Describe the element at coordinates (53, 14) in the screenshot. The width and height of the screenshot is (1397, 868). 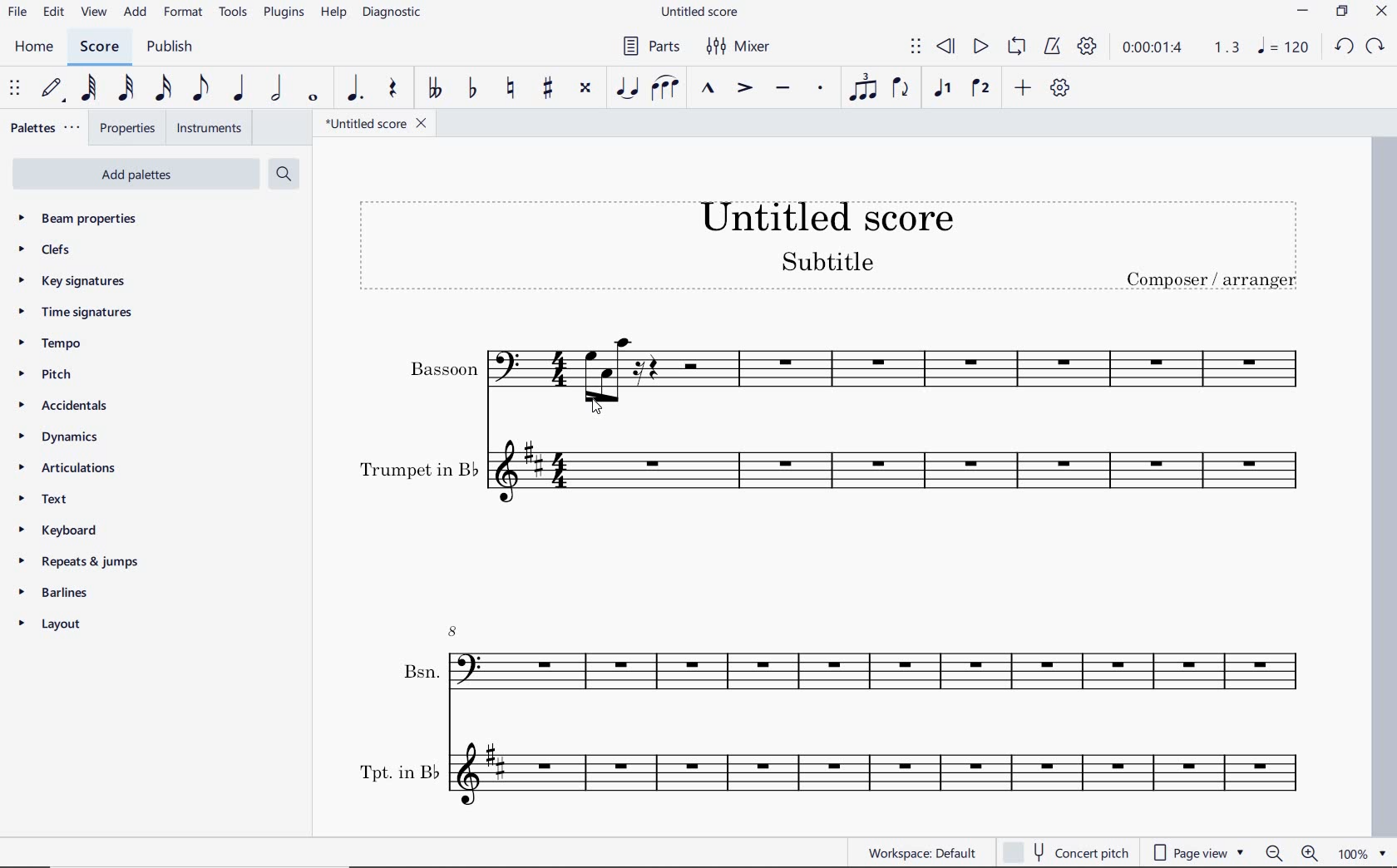
I see `edit` at that location.